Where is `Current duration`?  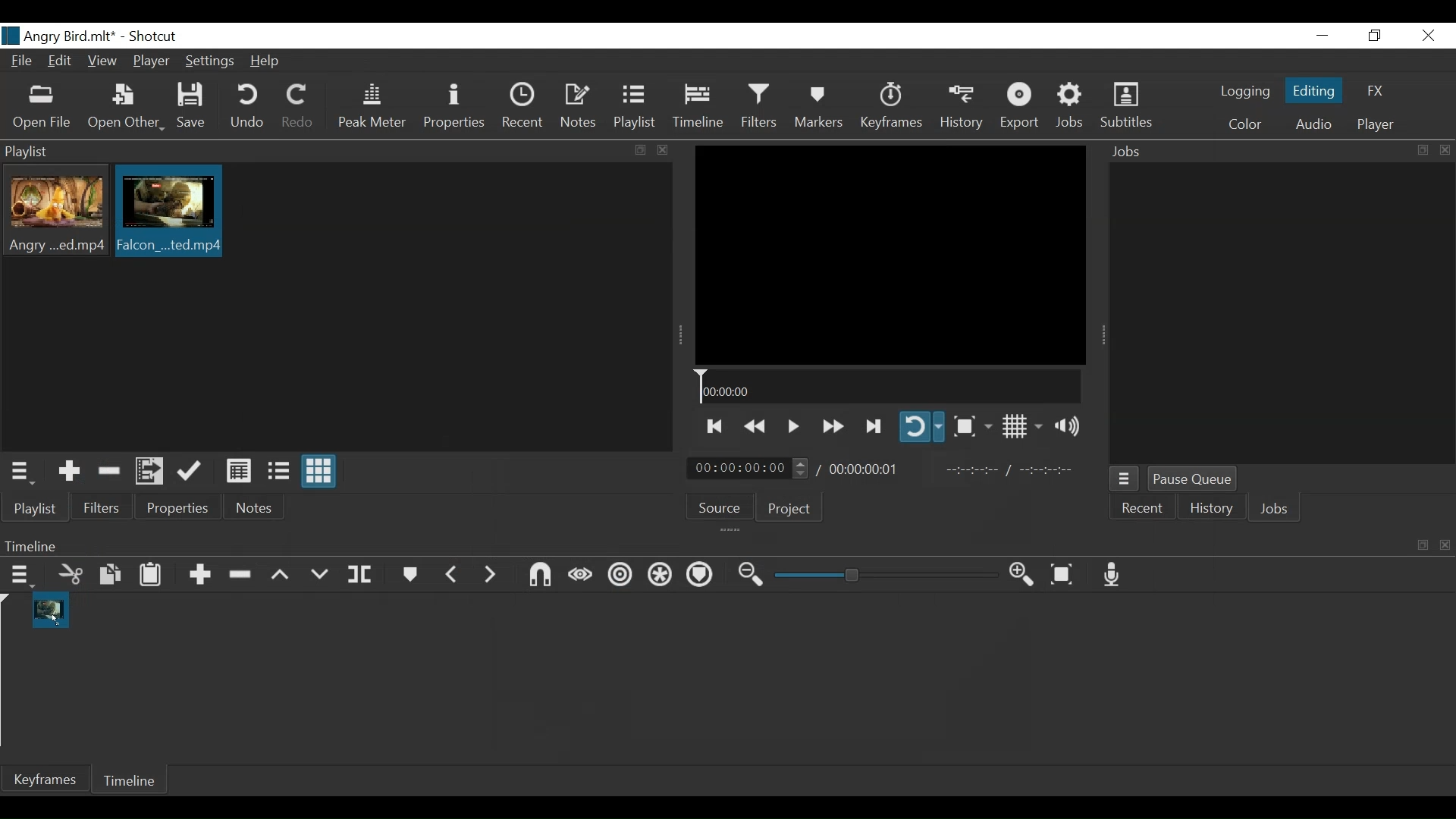 Current duration is located at coordinates (748, 469).